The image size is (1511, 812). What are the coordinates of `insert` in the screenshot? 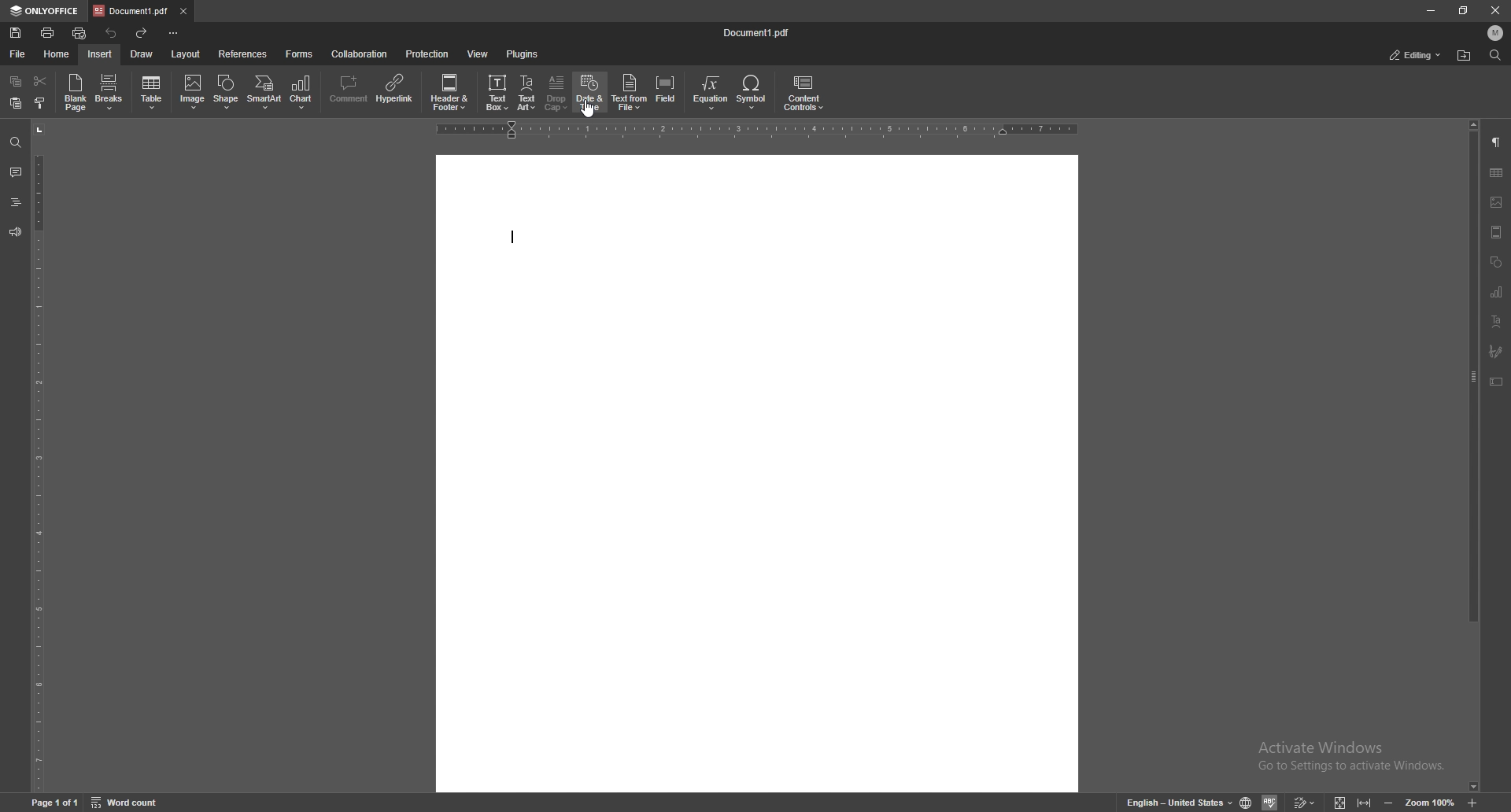 It's located at (102, 54).